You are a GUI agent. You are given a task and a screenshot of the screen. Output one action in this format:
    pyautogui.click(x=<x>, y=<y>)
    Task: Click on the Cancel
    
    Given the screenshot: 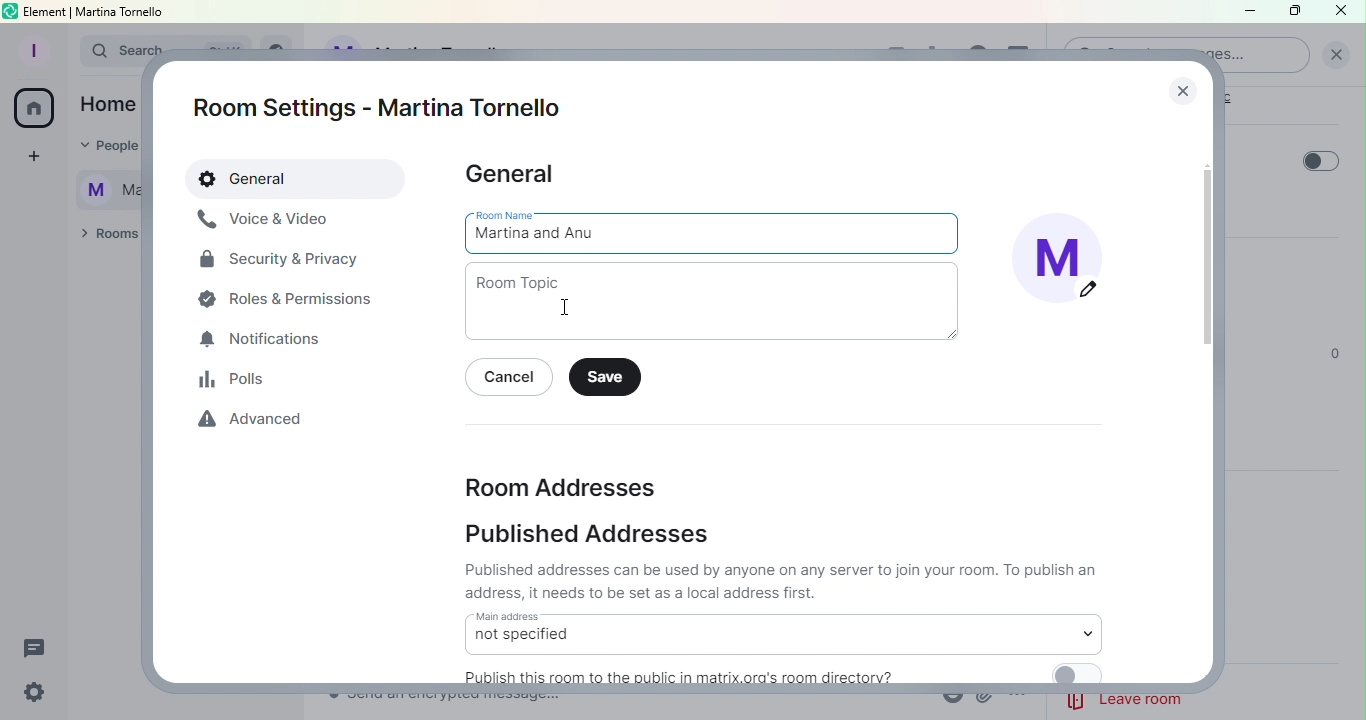 What is the action you would take?
    pyautogui.click(x=513, y=379)
    